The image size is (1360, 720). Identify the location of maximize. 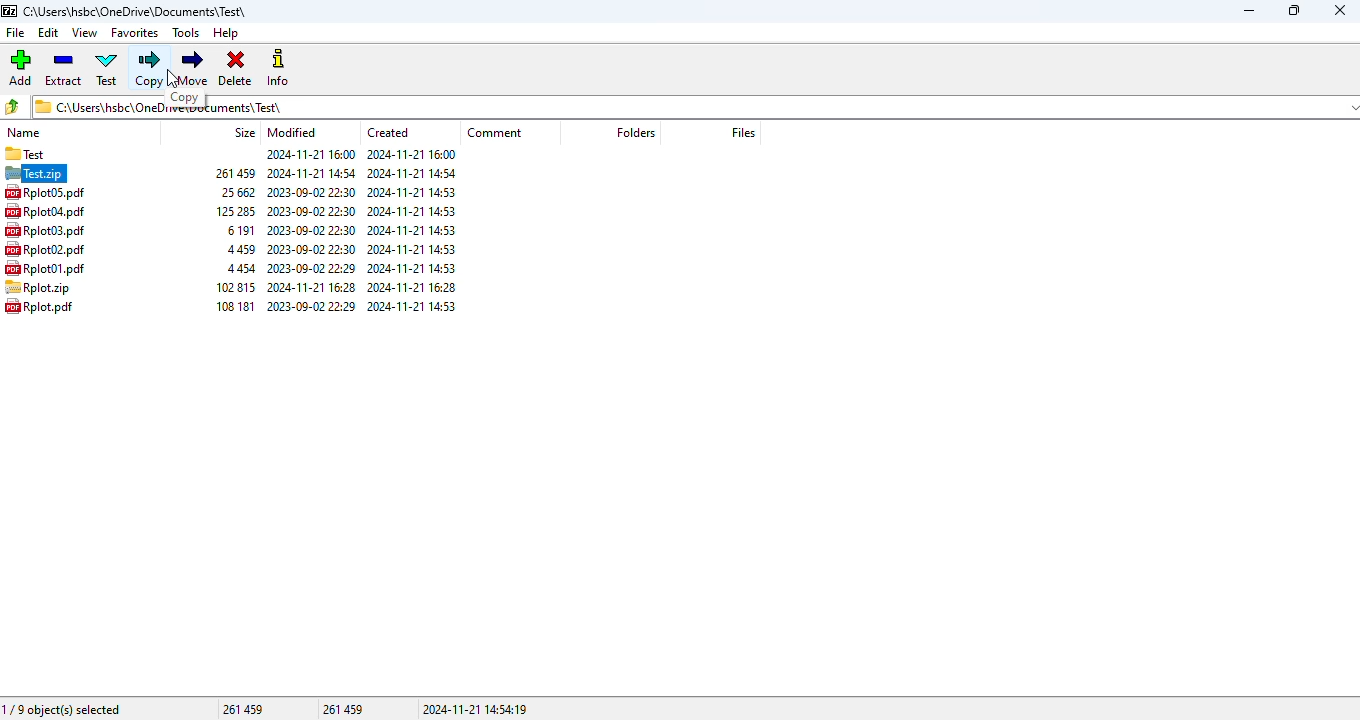
(1292, 10).